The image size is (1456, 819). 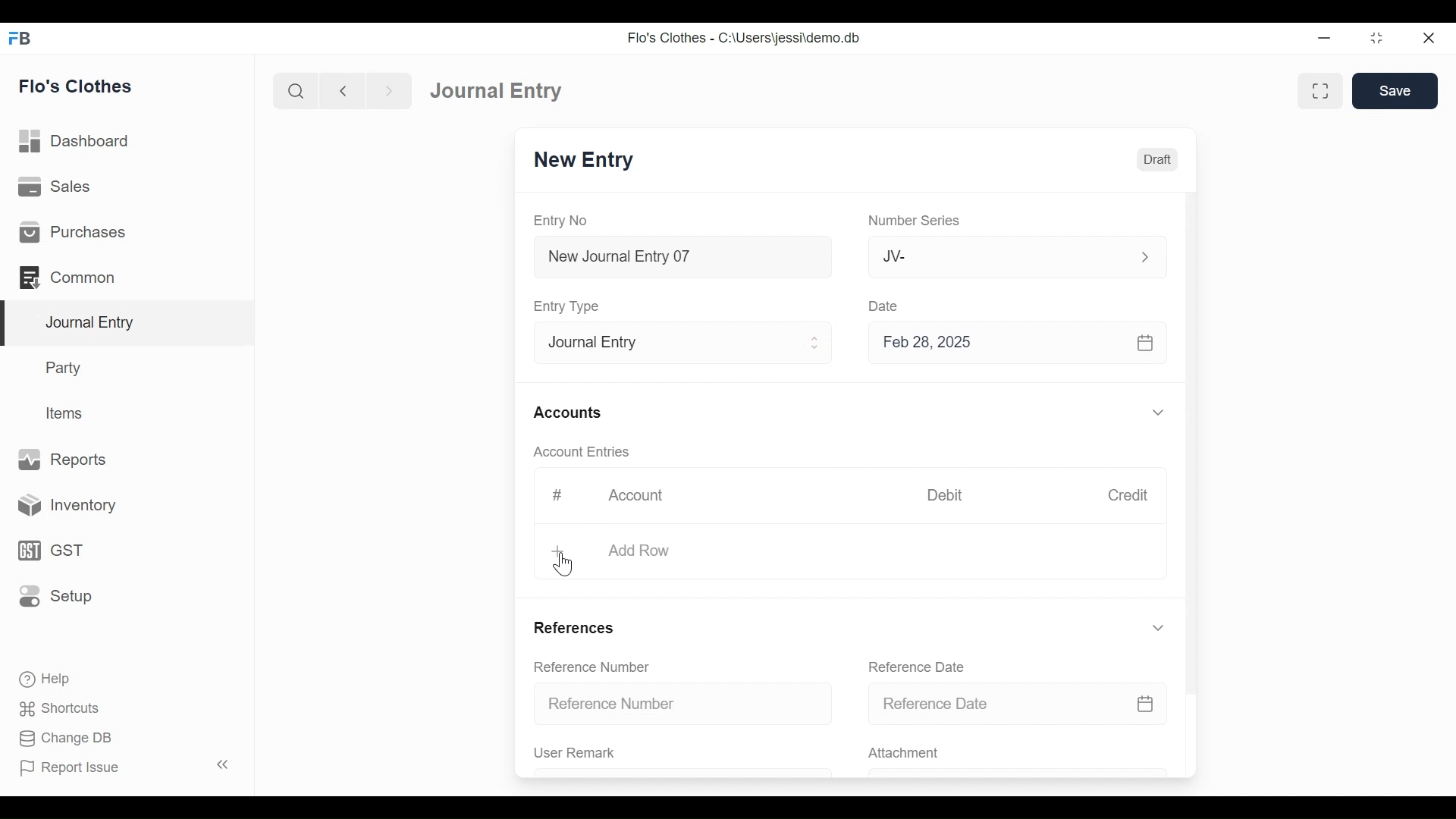 I want to click on Attachment, so click(x=903, y=754).